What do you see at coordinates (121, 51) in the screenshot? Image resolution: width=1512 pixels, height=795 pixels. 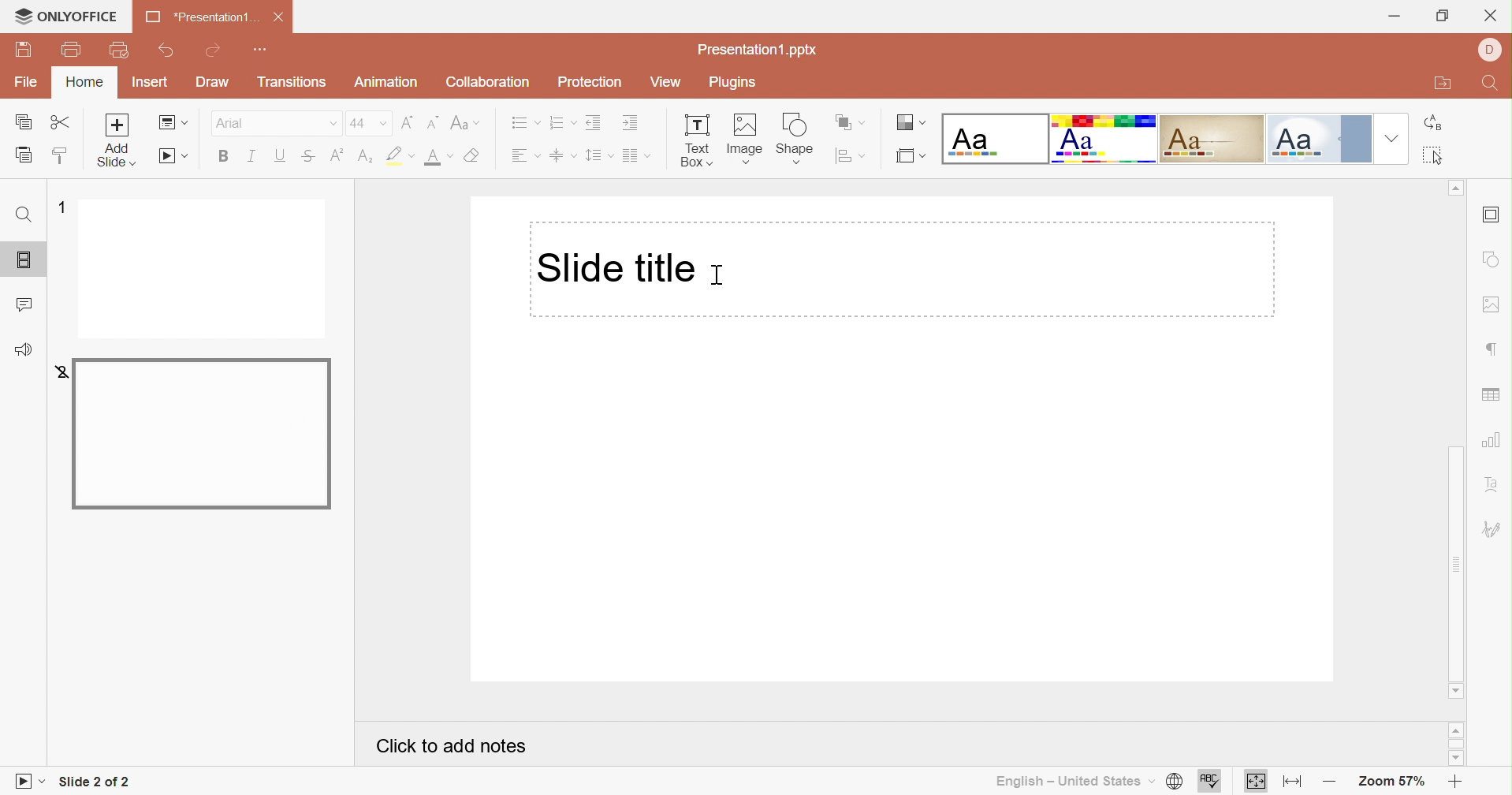 I see `Quick print` at bounding box center [121, 51].